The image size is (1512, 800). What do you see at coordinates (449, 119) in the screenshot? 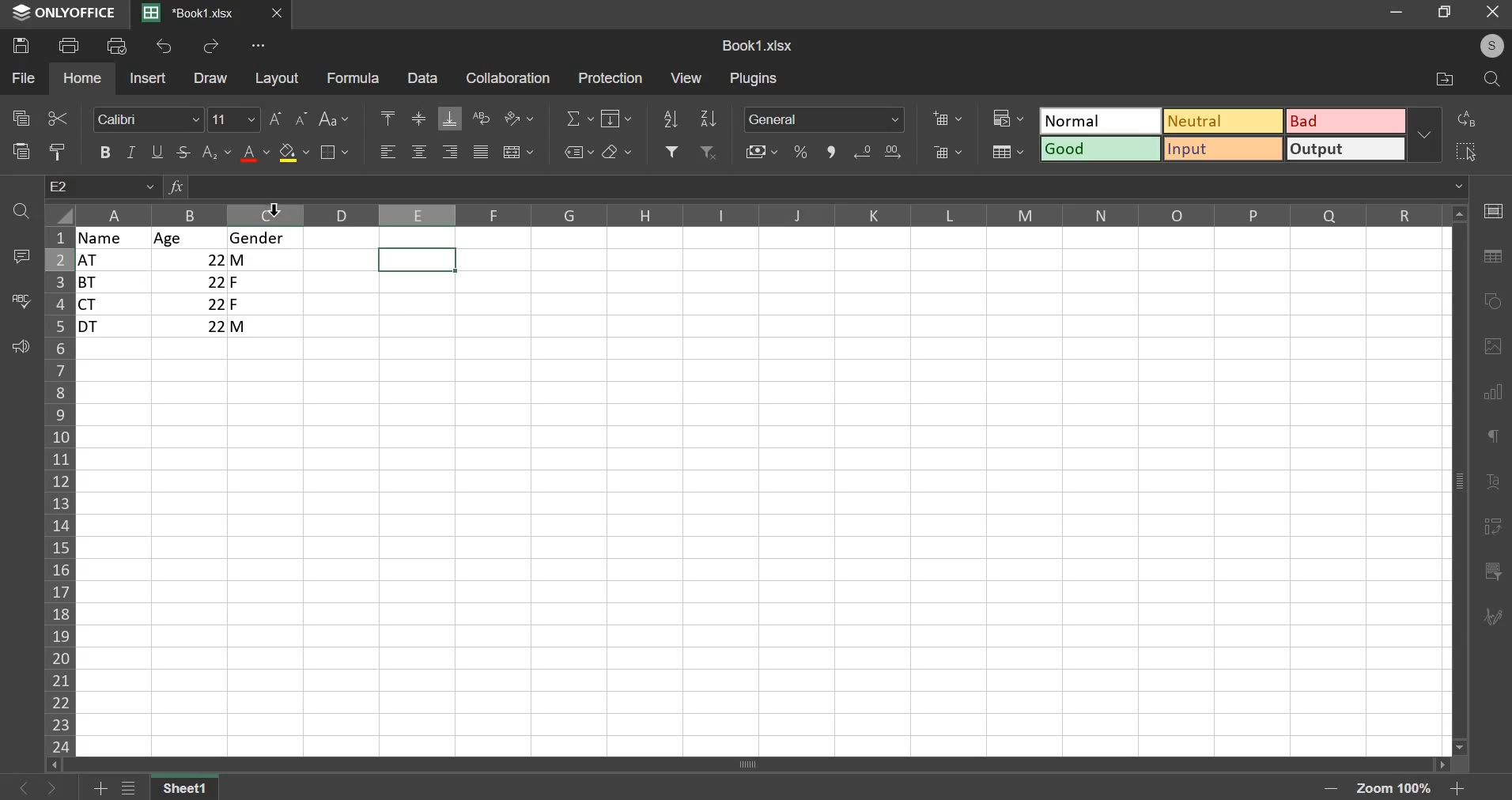
I see `align bottom` at bounding box center [449, 119].